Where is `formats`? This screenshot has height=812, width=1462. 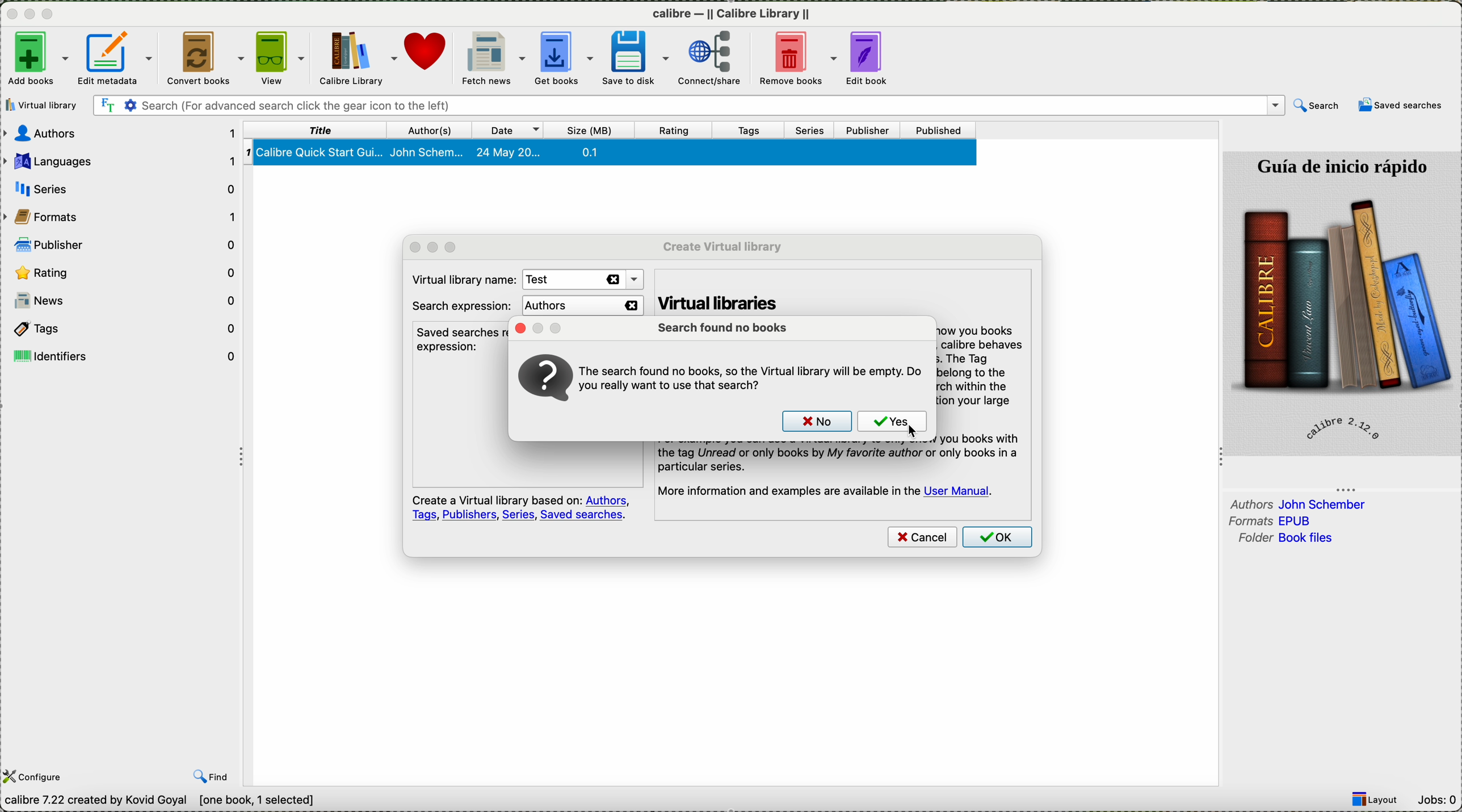
formats is located at coordinates (123, 216).